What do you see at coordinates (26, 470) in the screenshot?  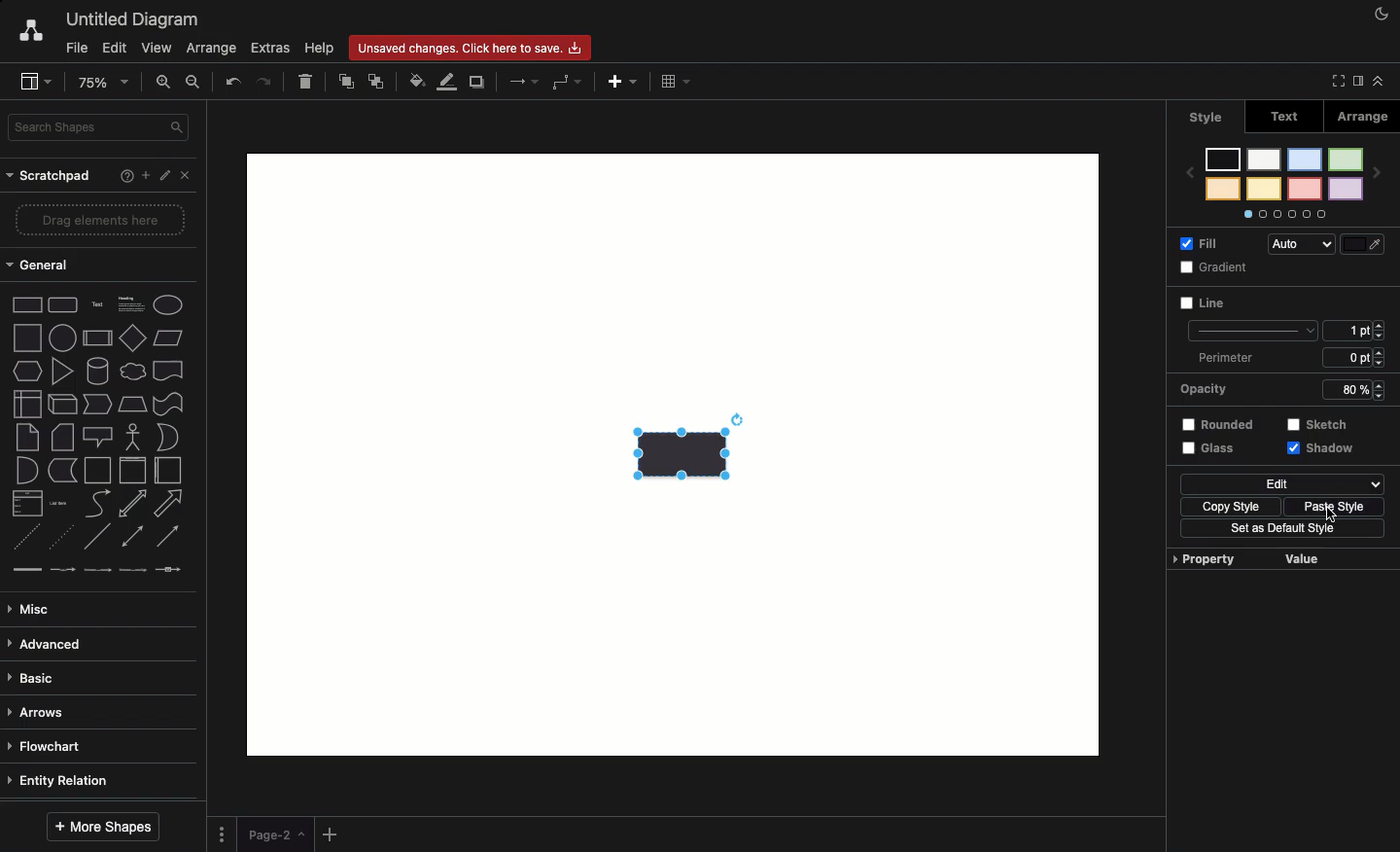 I see `and` at bounding box center [26, 470].